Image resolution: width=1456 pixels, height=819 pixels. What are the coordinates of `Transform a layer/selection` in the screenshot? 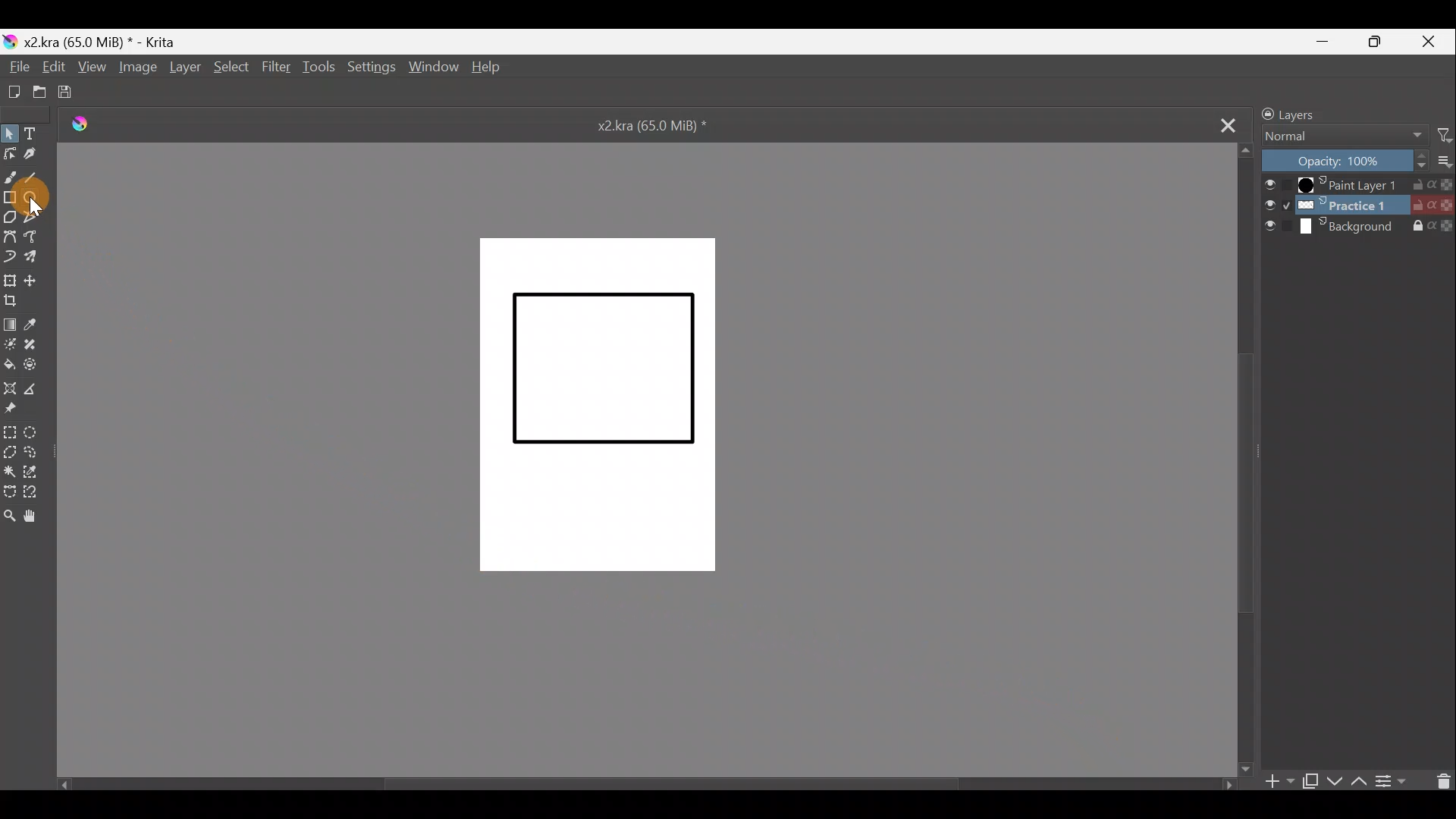 It's located at (12, 280).